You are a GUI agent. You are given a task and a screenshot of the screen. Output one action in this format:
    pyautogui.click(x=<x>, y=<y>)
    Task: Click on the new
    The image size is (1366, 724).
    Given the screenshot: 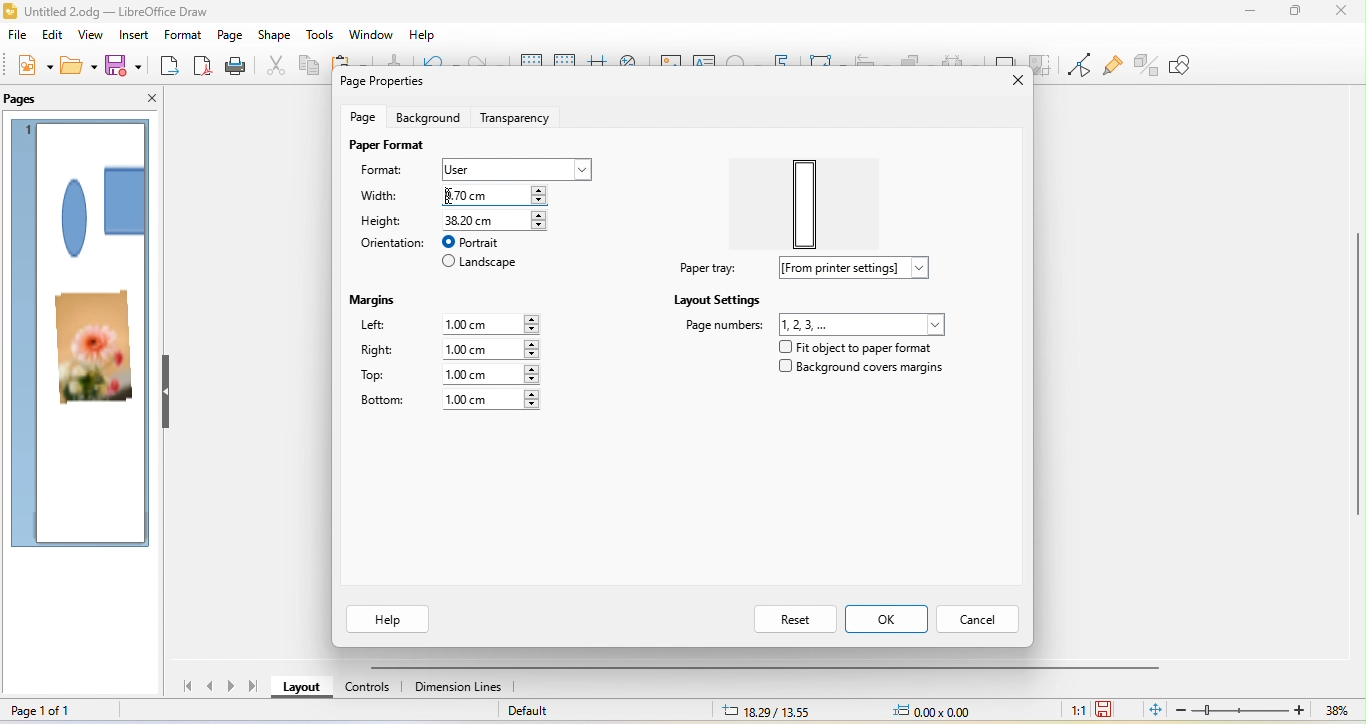 What is the action you would take?
    pyautogui.click(x=27, y=68)
    